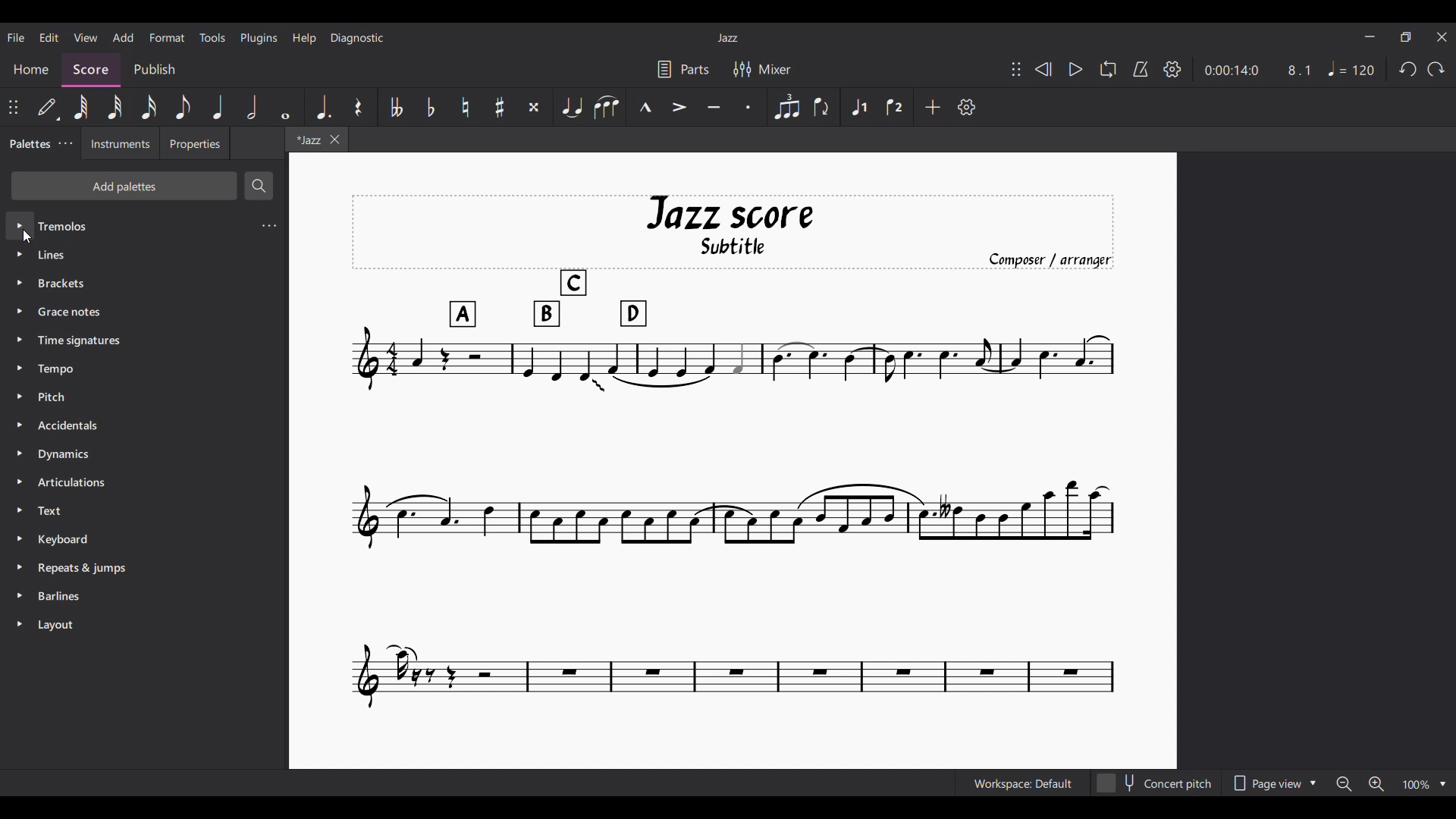 The image size is (1456, 819). I want to click on Minimize, so click(1370, 36).